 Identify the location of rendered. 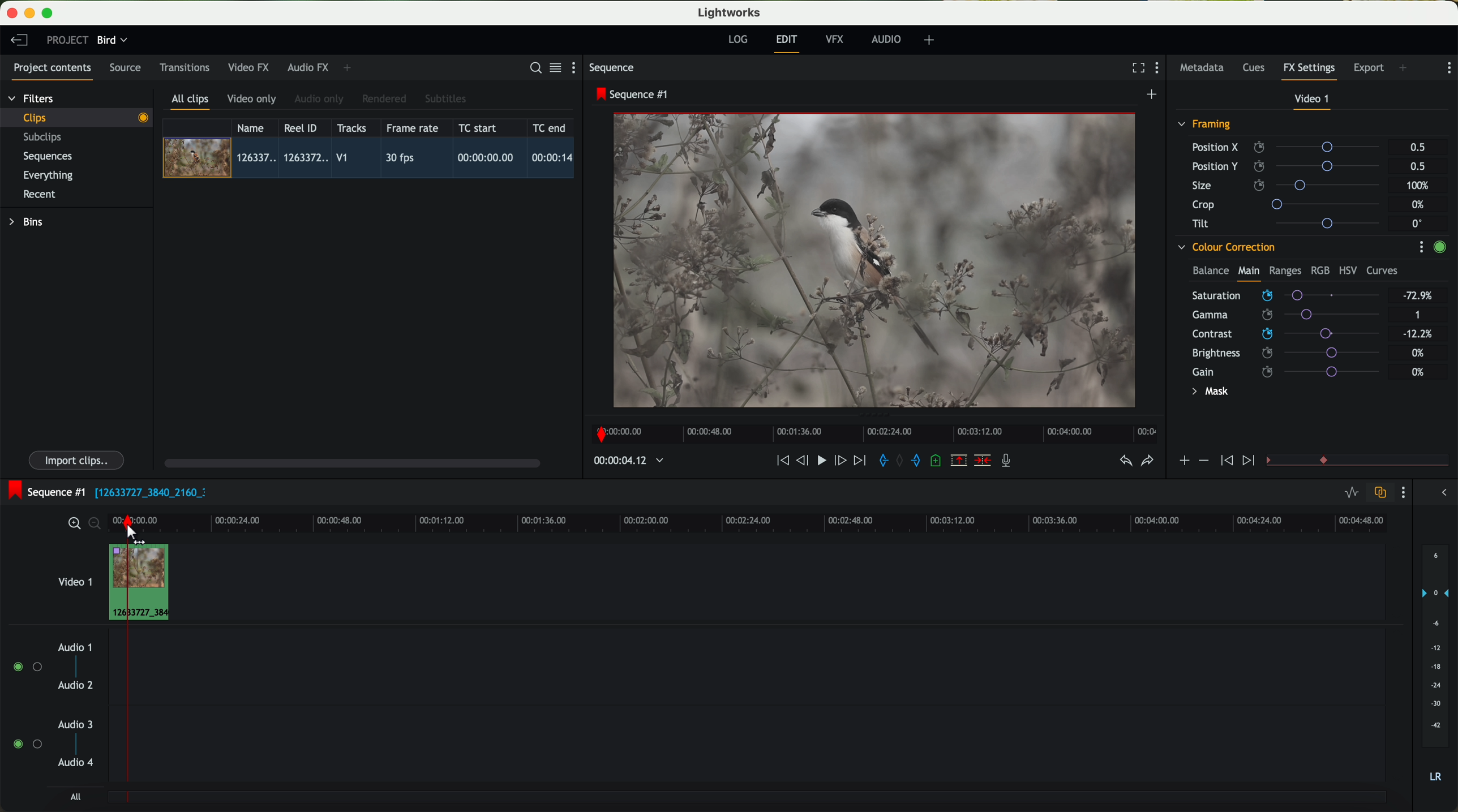
(385, 100).